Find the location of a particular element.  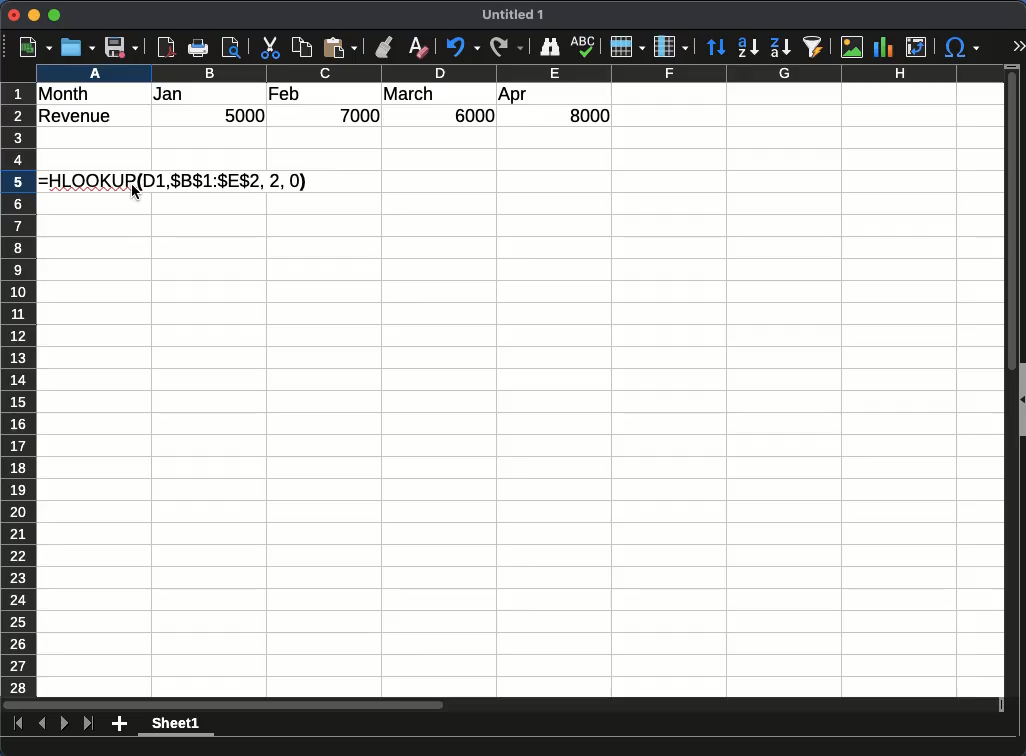

next sheet is located at coordinates (65, 723).